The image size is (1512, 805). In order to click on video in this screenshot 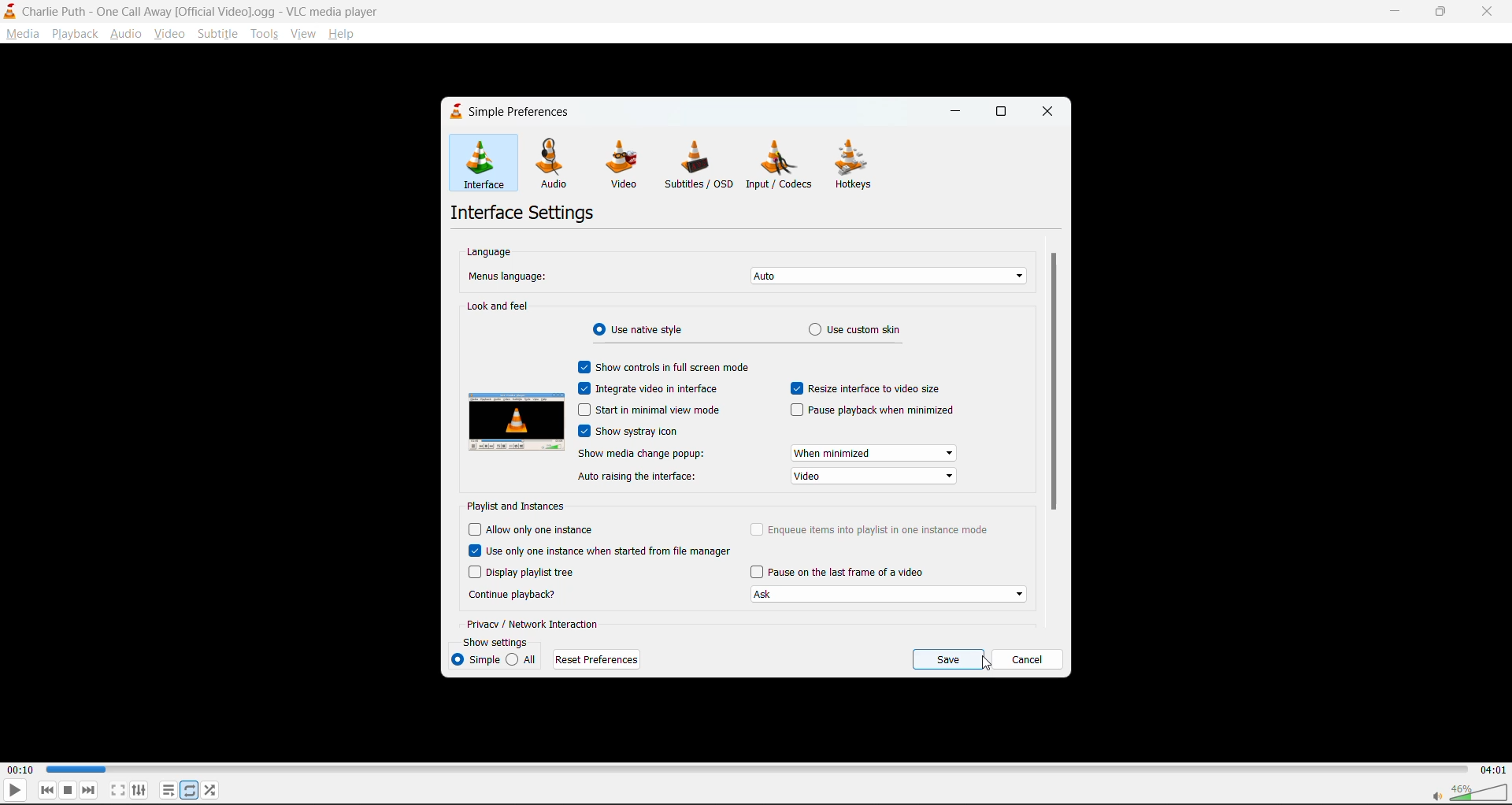, I will do `click(172, 35)`.